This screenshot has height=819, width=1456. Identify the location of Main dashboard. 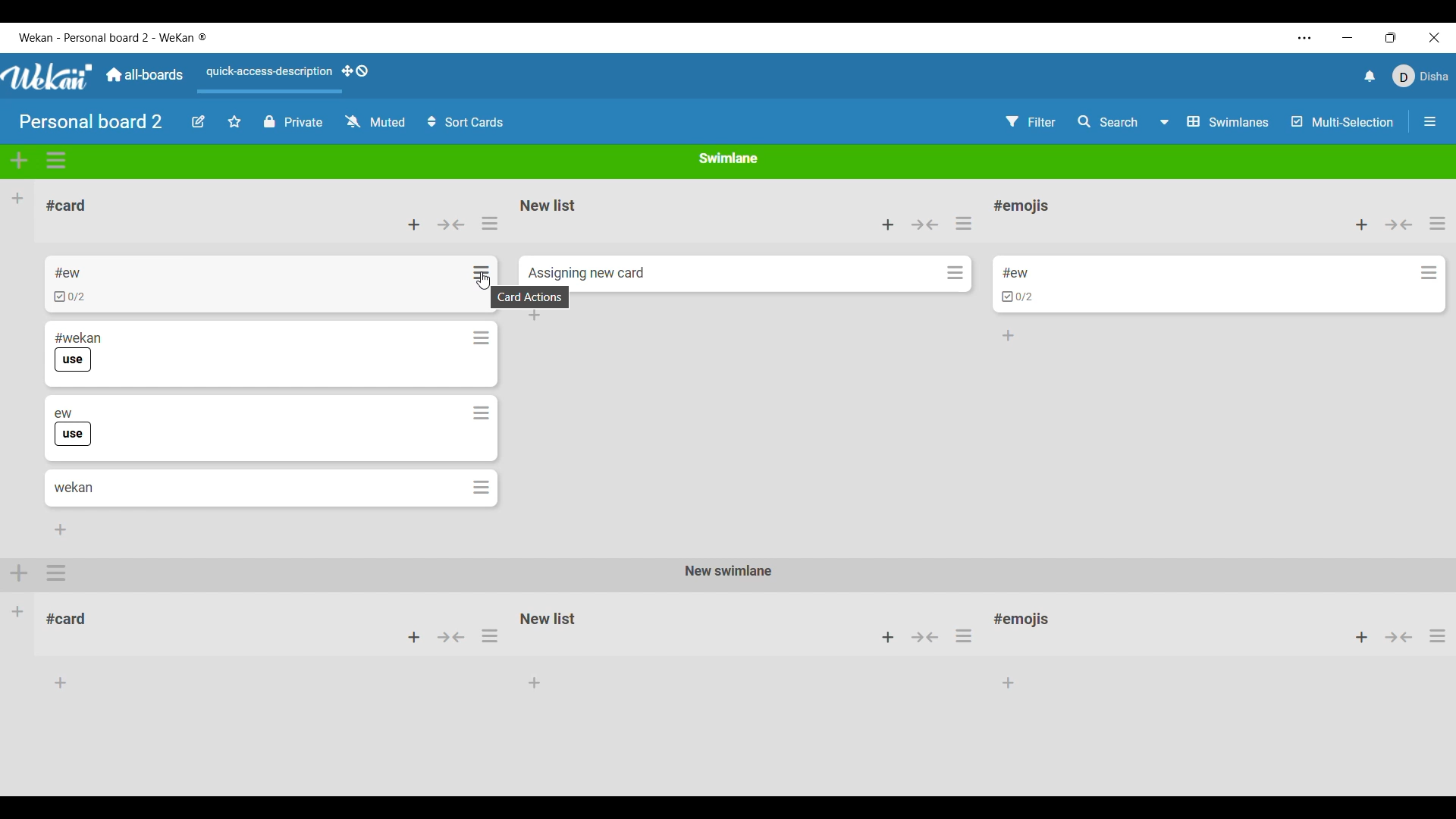
(143, 74).